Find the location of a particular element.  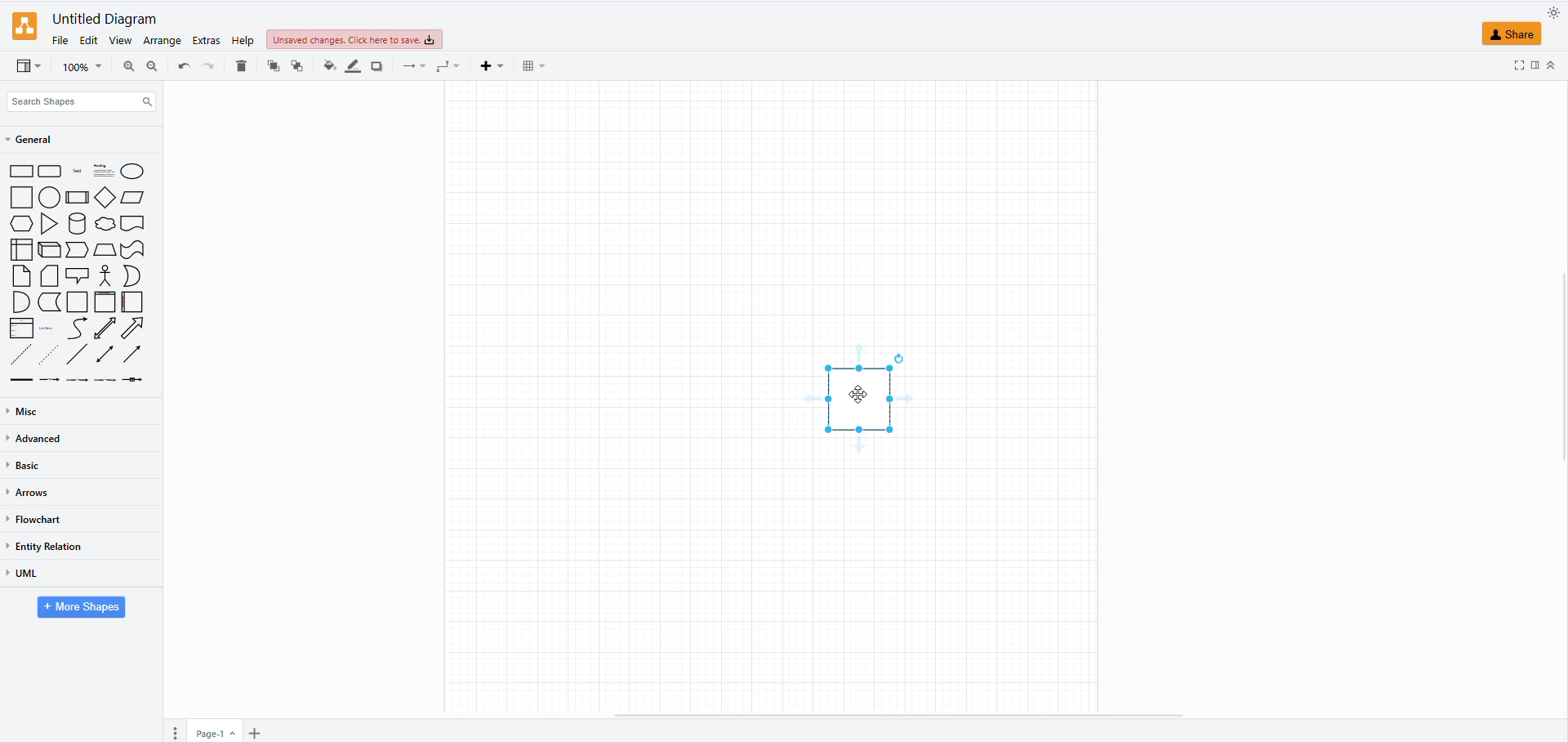

insert page is located at coordinates (253, 733).